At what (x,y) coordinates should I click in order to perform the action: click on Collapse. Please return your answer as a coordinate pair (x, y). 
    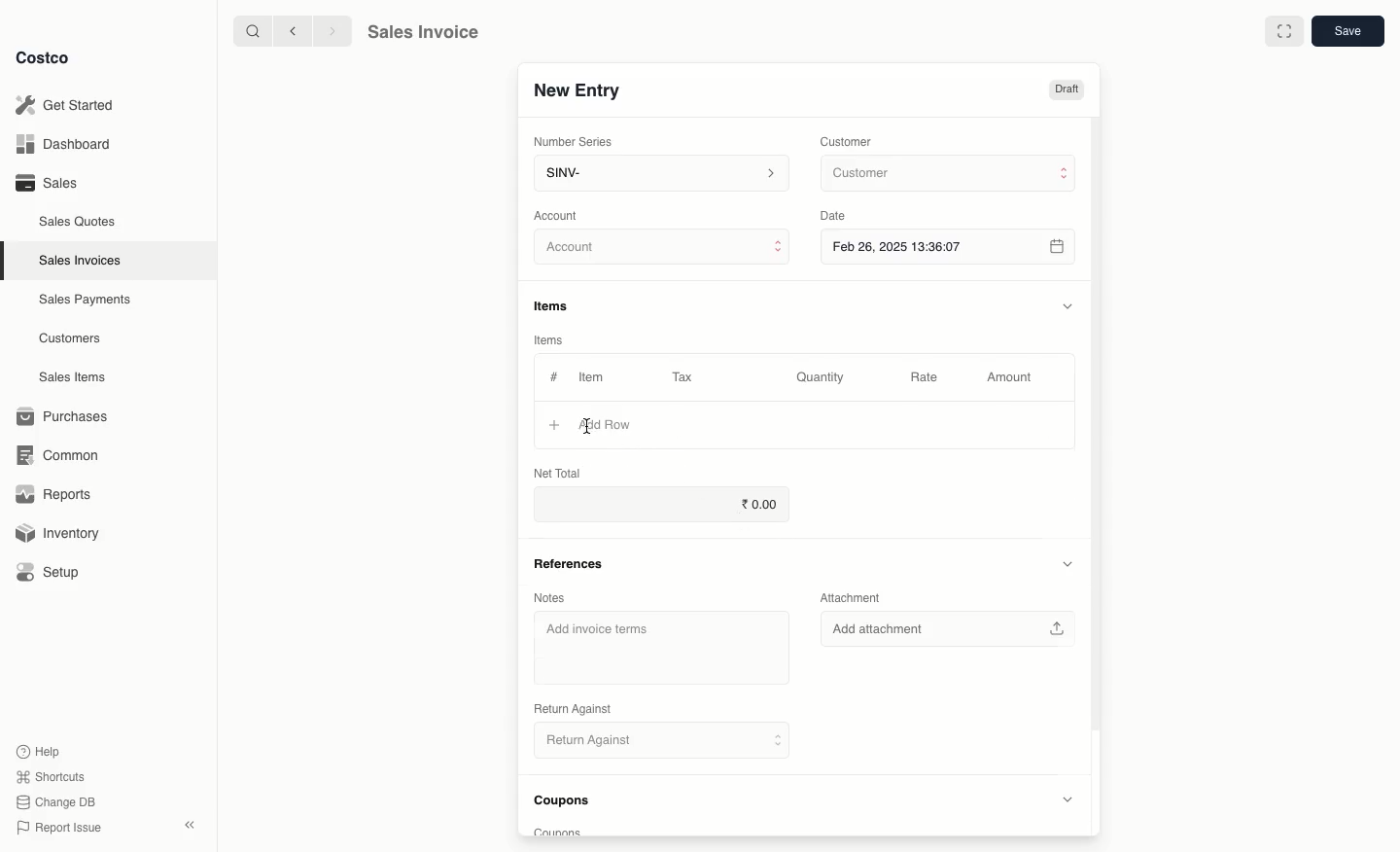
    Looking at the image, I should click on (192, 826).